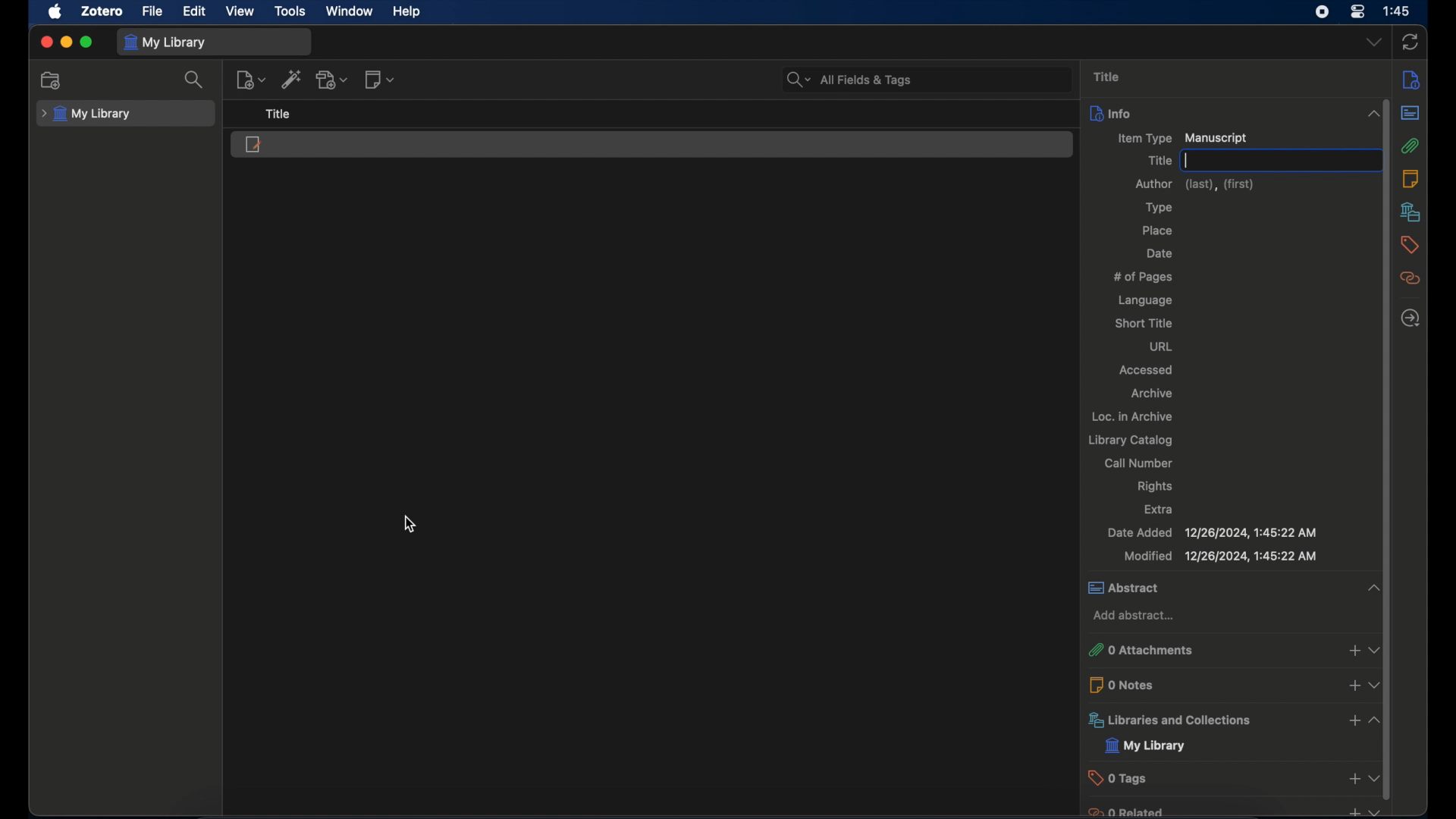 This screenshot has width=1456, height=819. Describe the element at coordinates (1147, 371) in the screenshot. I see `accessed` at that location.